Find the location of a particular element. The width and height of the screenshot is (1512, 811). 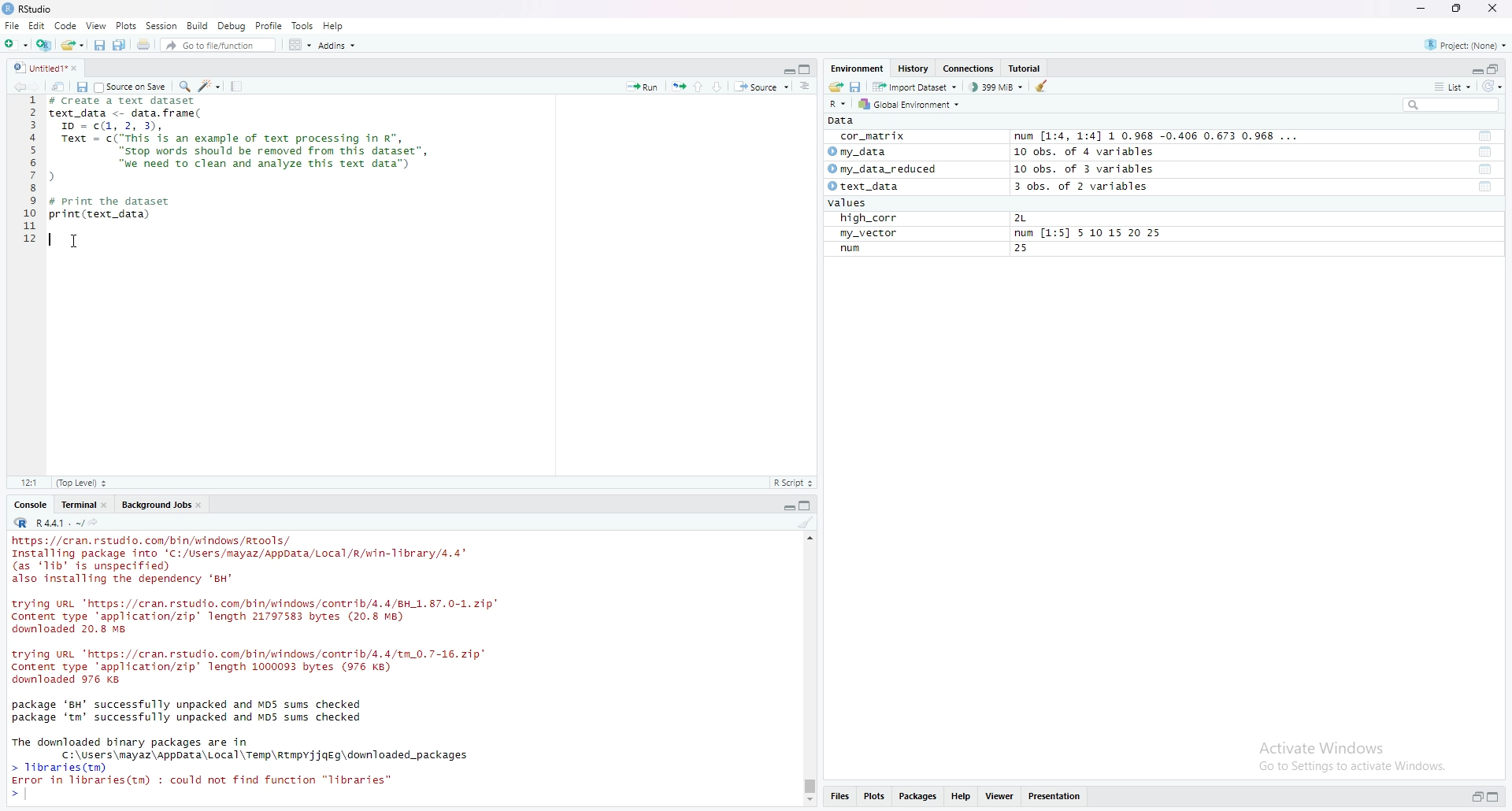

line numbers is located at coordinates (25, 181).